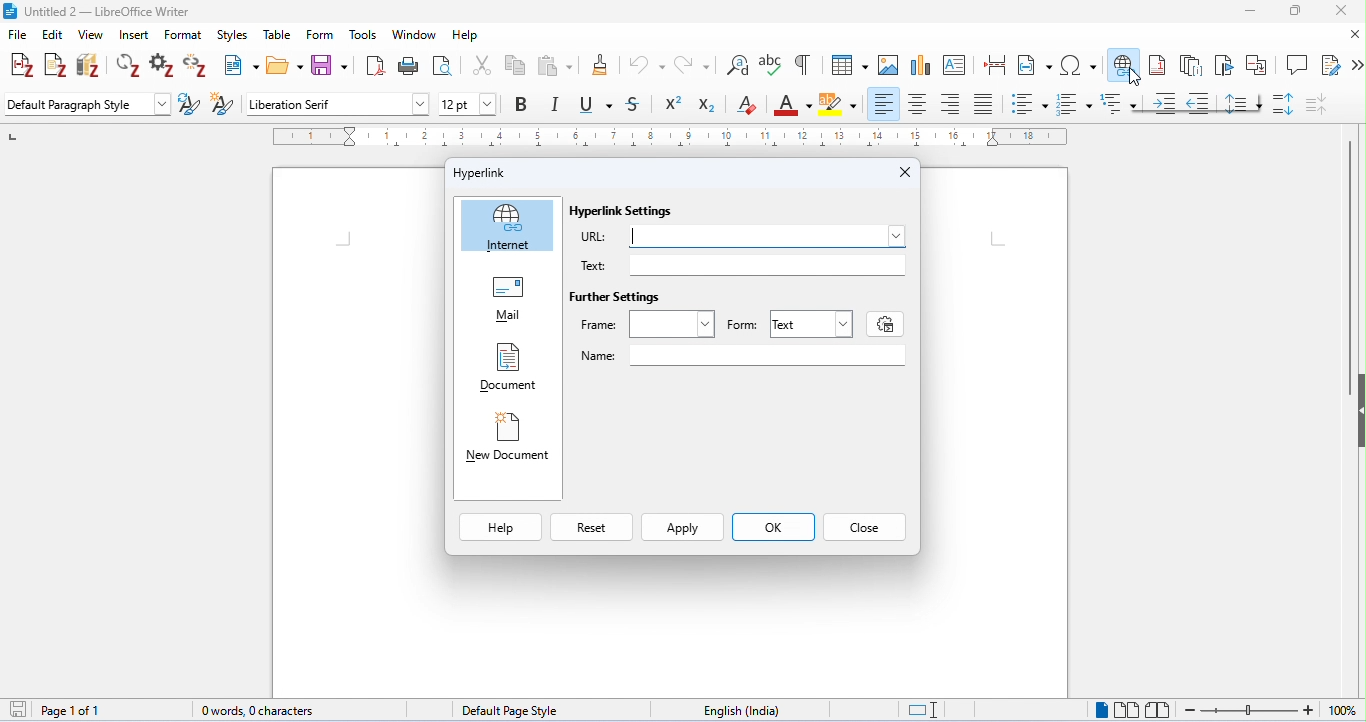 This screenshot has height=722, width=1366. Describe the element at coordinates (598, 263) in the screenshot. I see `Text` at that location.